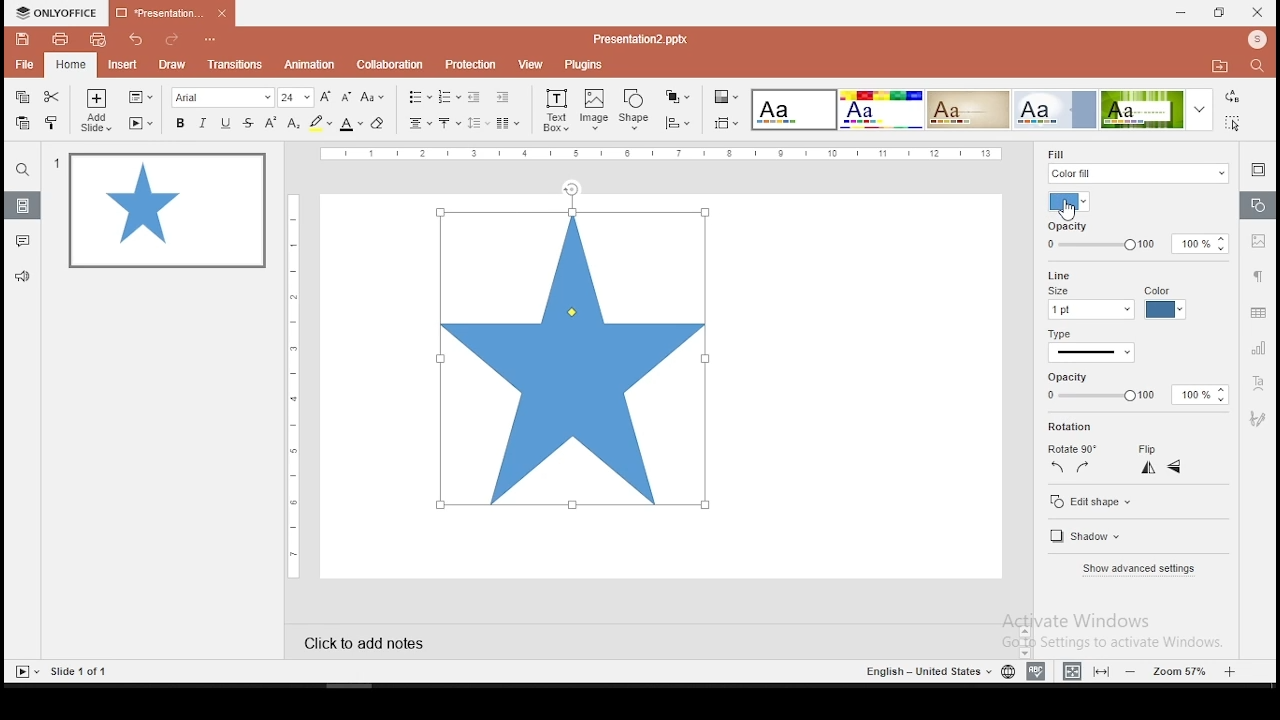 The width and height of the screenshot is (1280, 720). I want to click on find, so click(1261, 68).